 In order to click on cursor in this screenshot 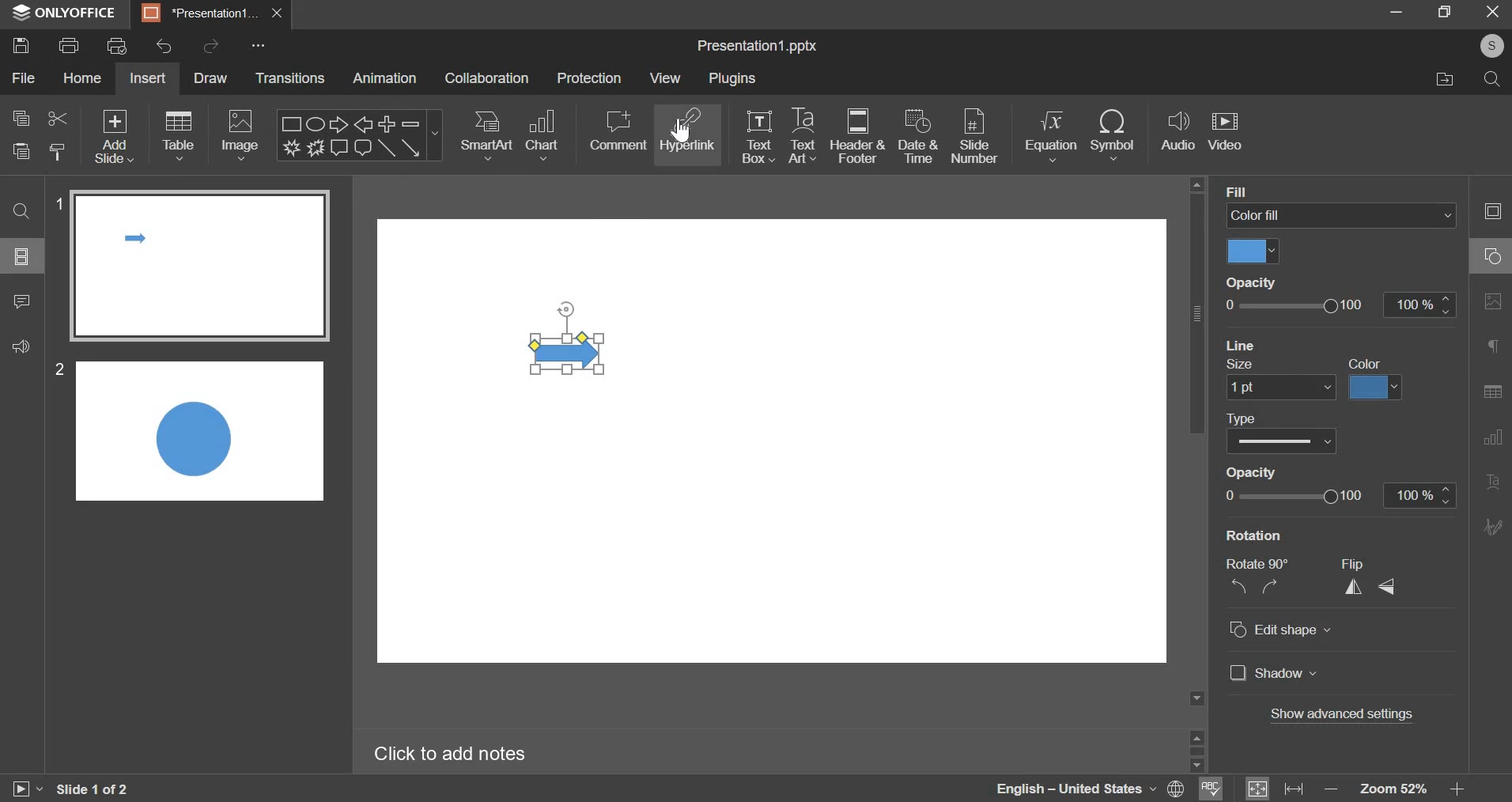, I will do `click(681, 131)`.